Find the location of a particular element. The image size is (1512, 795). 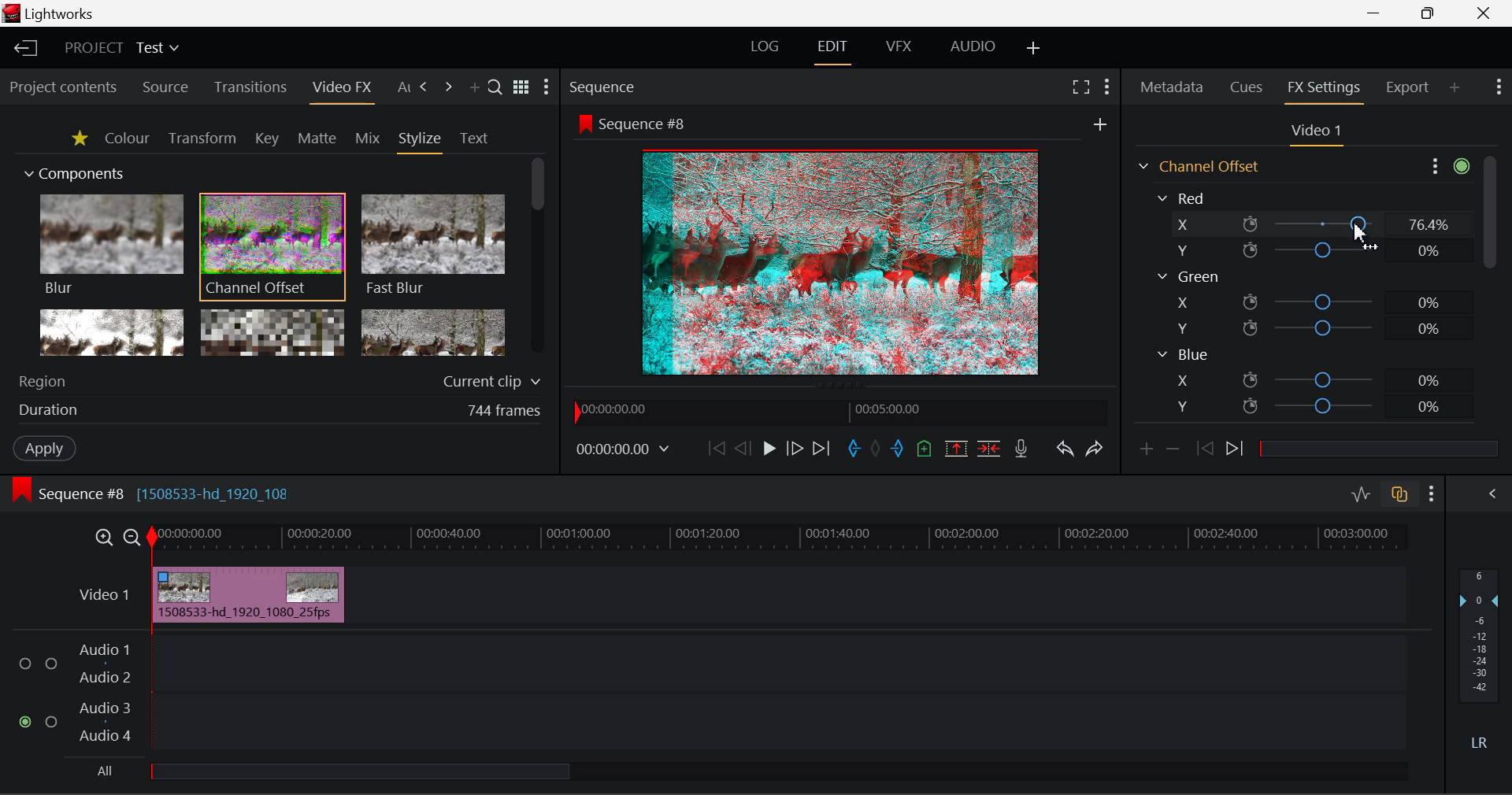

Remove marked Section is located at coordinates (959, 449).